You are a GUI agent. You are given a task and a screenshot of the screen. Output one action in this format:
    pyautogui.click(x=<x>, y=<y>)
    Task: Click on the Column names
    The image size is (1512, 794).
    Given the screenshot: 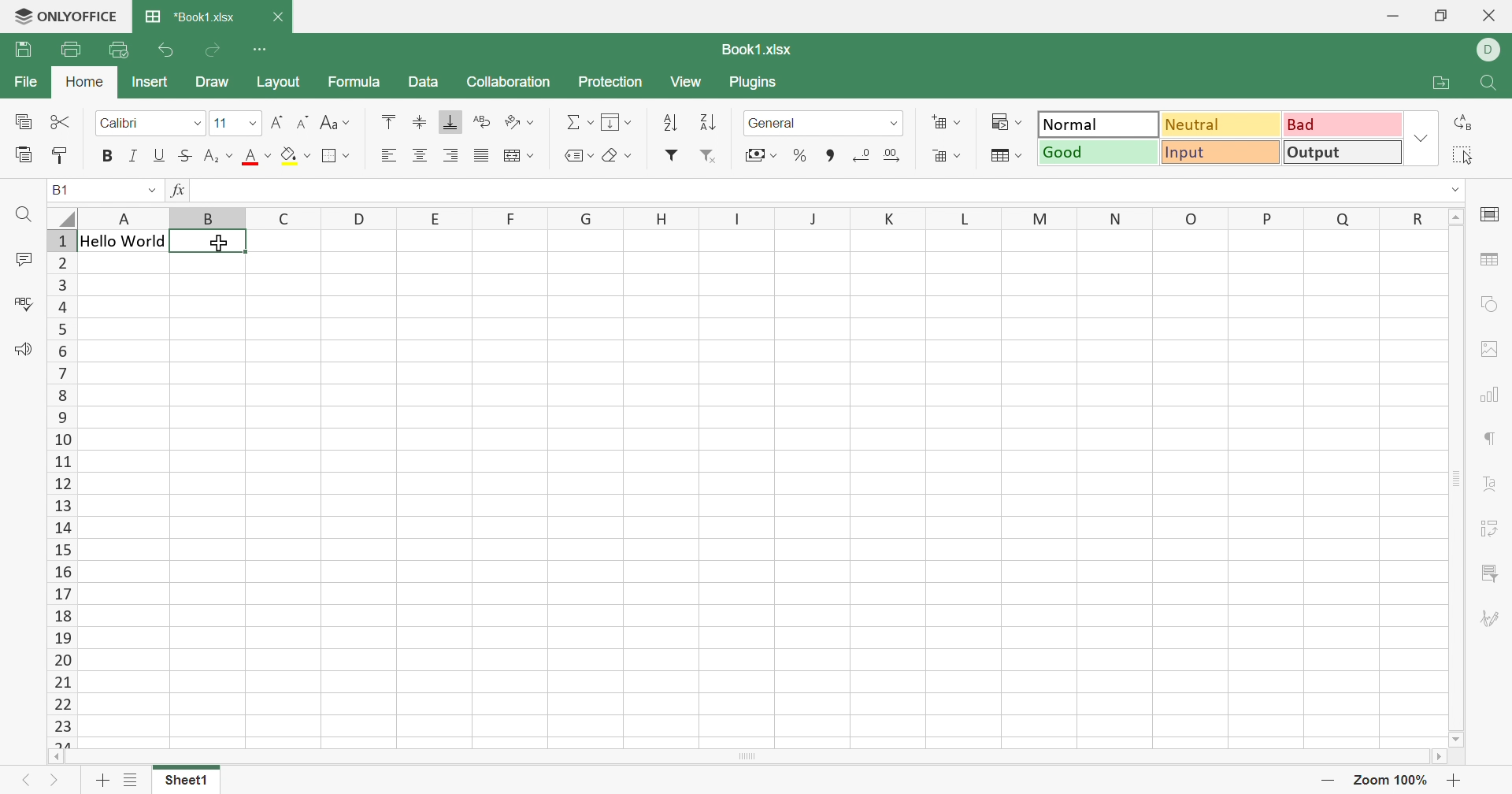 What is the action you would take?
    pyautogui.click(x=761, y=217)
    